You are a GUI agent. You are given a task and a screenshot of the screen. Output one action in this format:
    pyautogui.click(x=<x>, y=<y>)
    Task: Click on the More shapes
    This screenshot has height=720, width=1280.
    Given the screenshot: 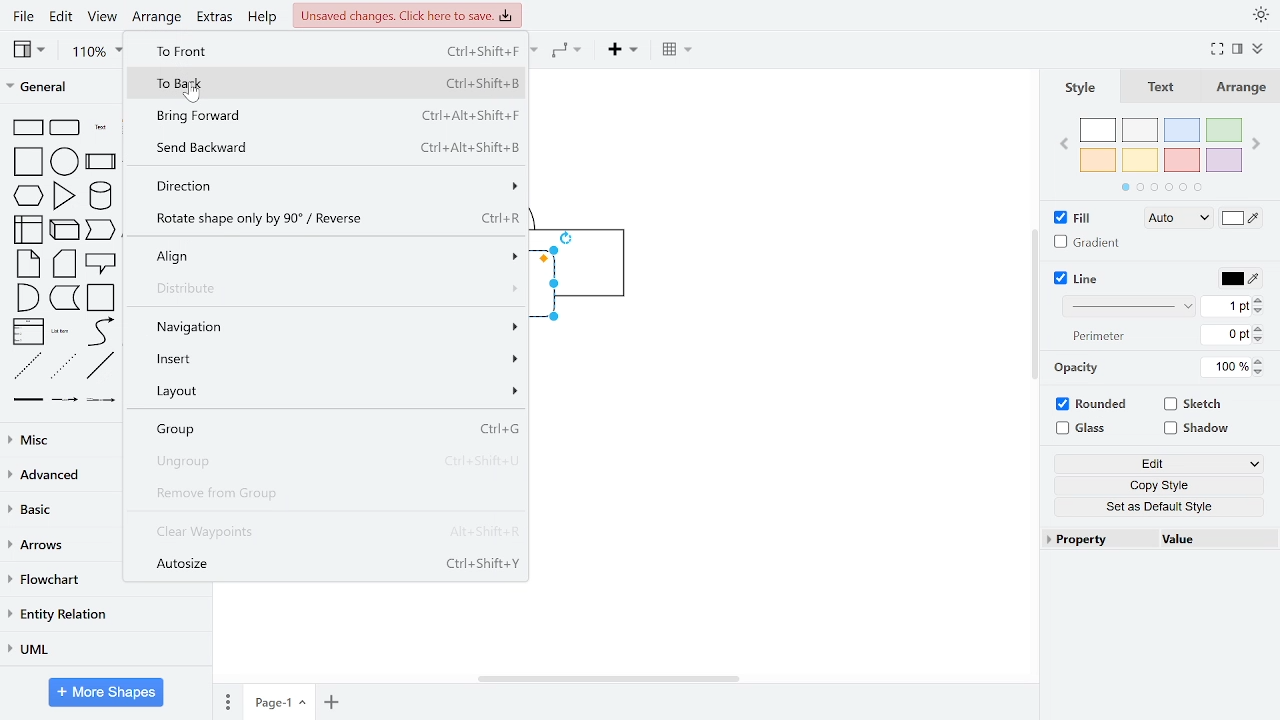 What is the action you would take?
    pyautogui.click(x=106, y=691)
    